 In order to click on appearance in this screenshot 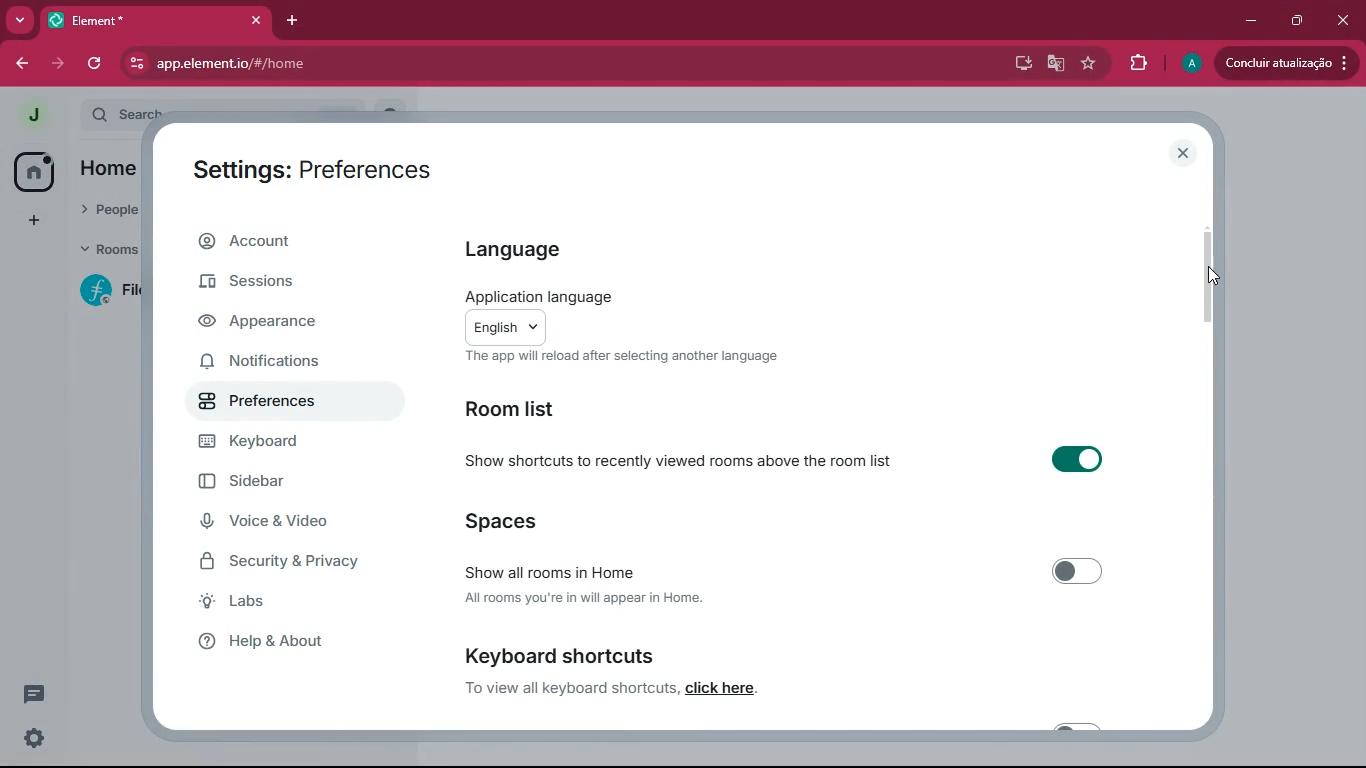, I will do `click(268, 325)`.